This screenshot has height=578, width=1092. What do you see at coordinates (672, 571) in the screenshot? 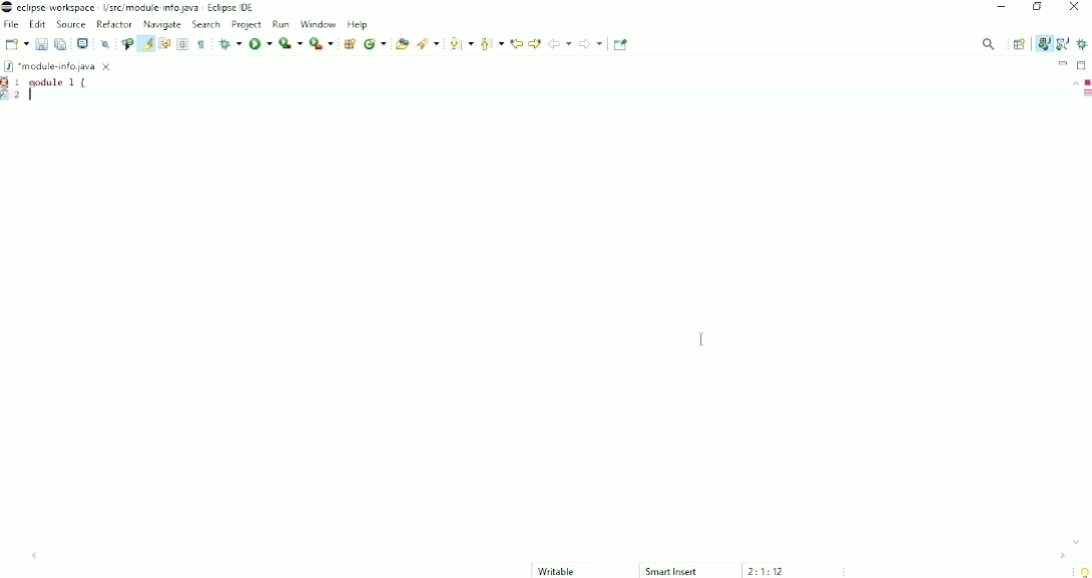
I see `Smart Insert` at bounding box center [672, 571].